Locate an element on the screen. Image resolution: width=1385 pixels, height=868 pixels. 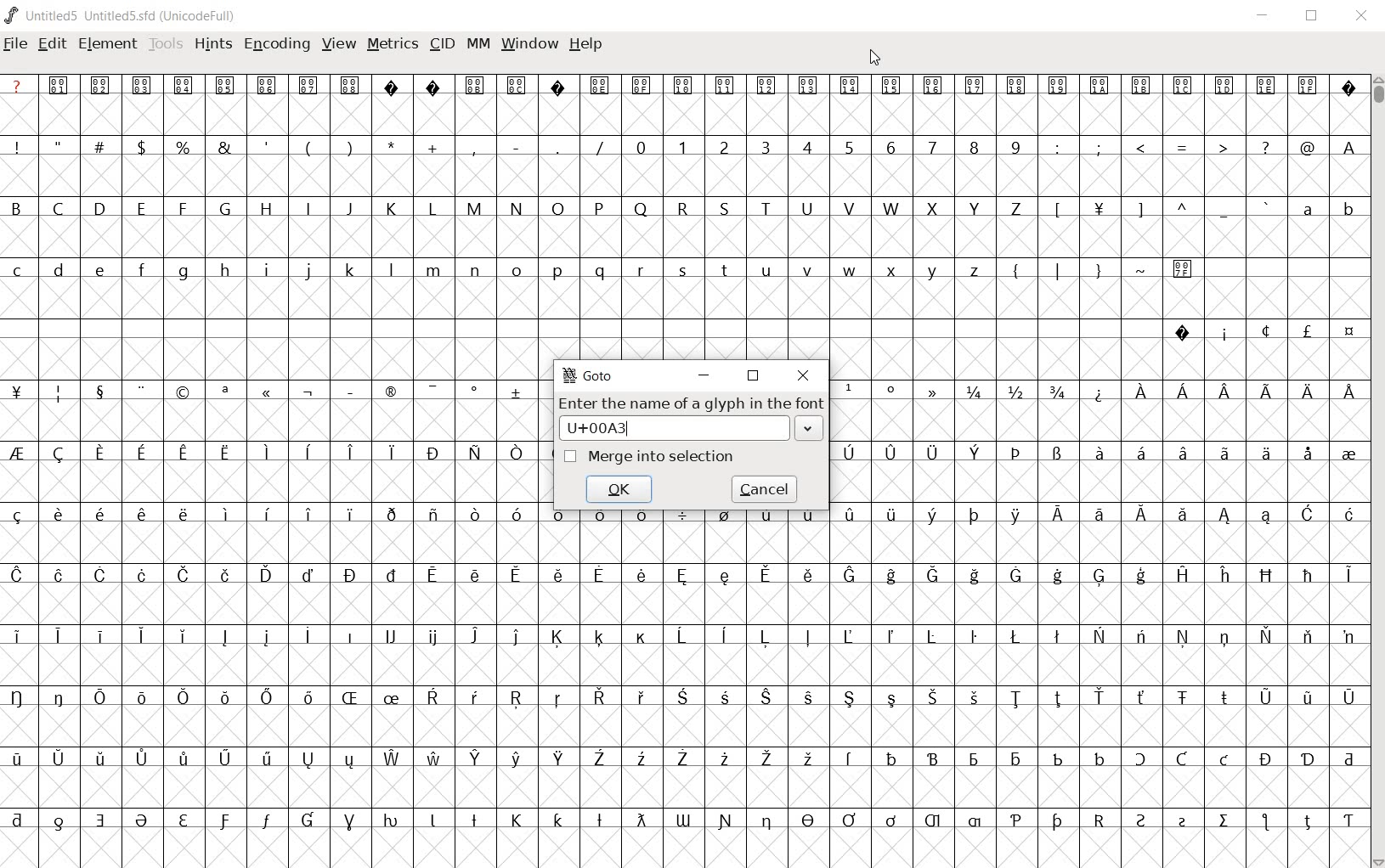
d is located at coordinates (59, 272).